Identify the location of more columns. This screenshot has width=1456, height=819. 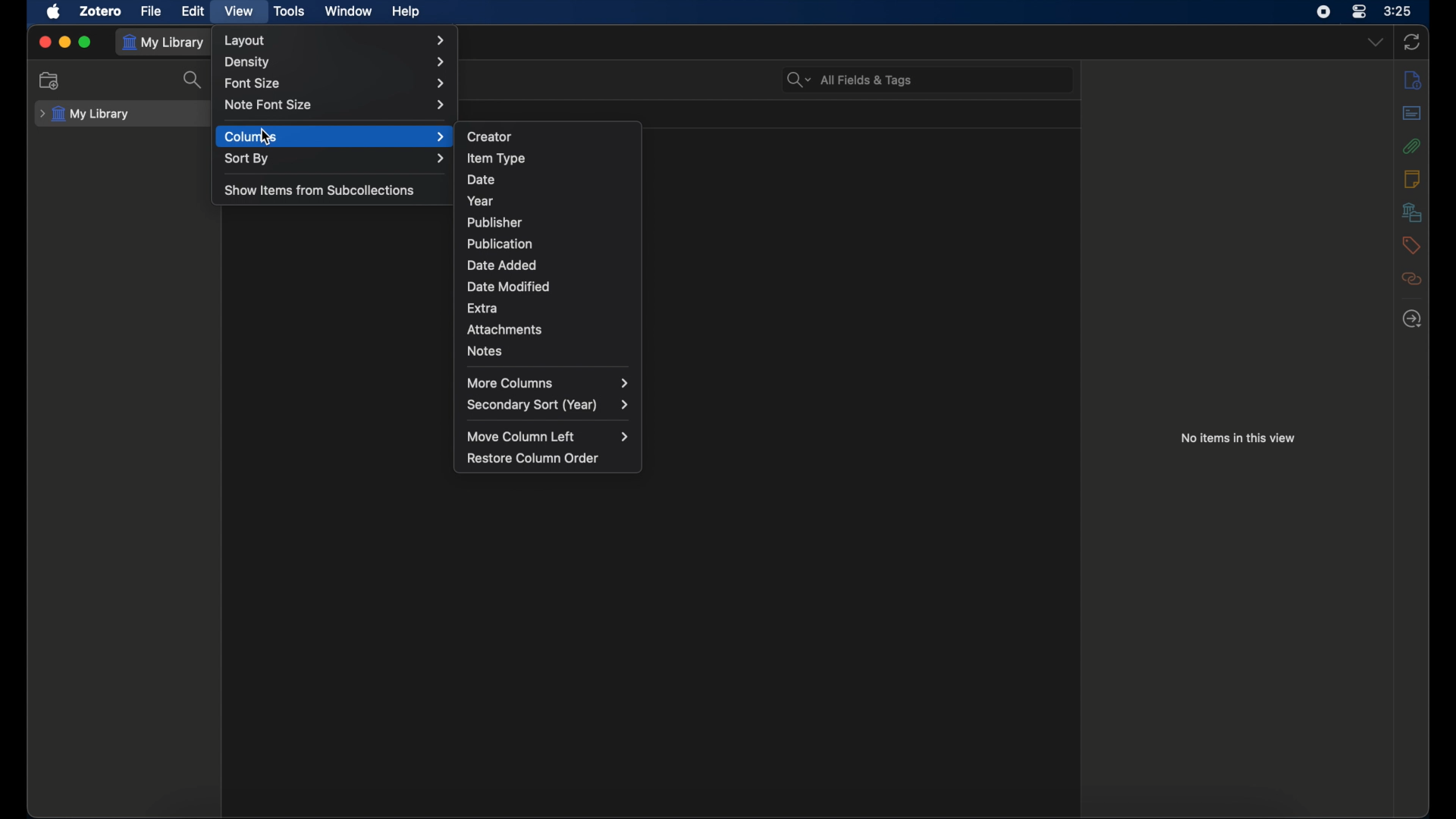
(548, 383).